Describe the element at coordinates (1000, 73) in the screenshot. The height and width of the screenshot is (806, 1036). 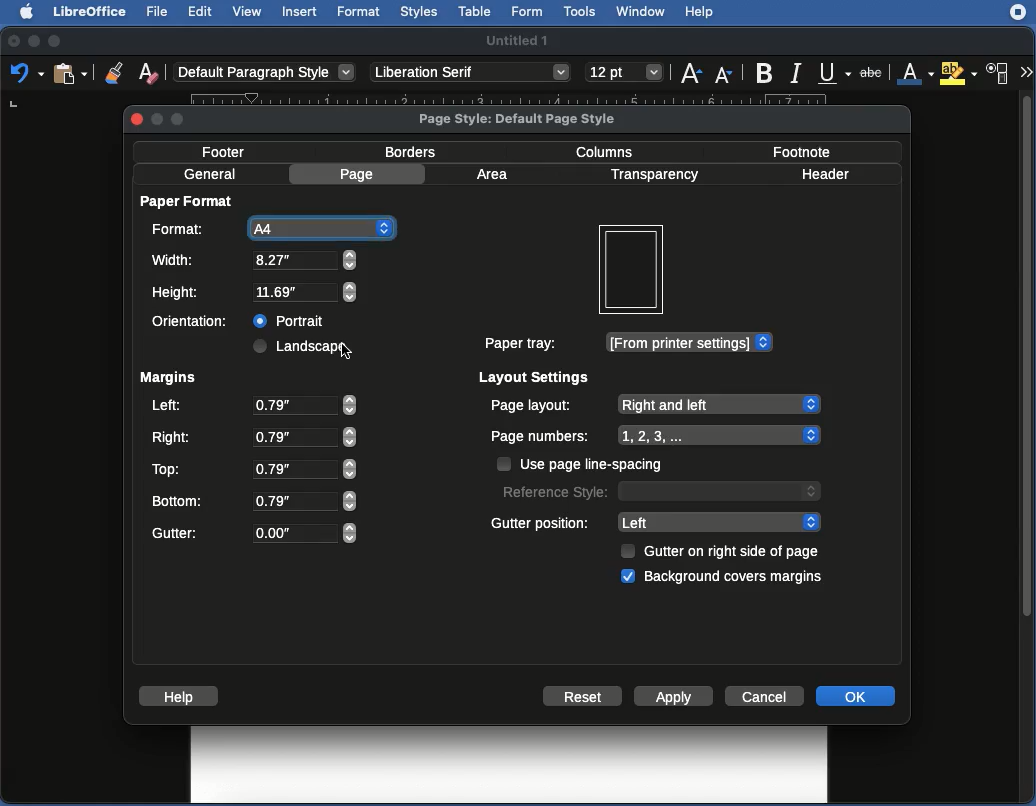
I see `Character` at that location.